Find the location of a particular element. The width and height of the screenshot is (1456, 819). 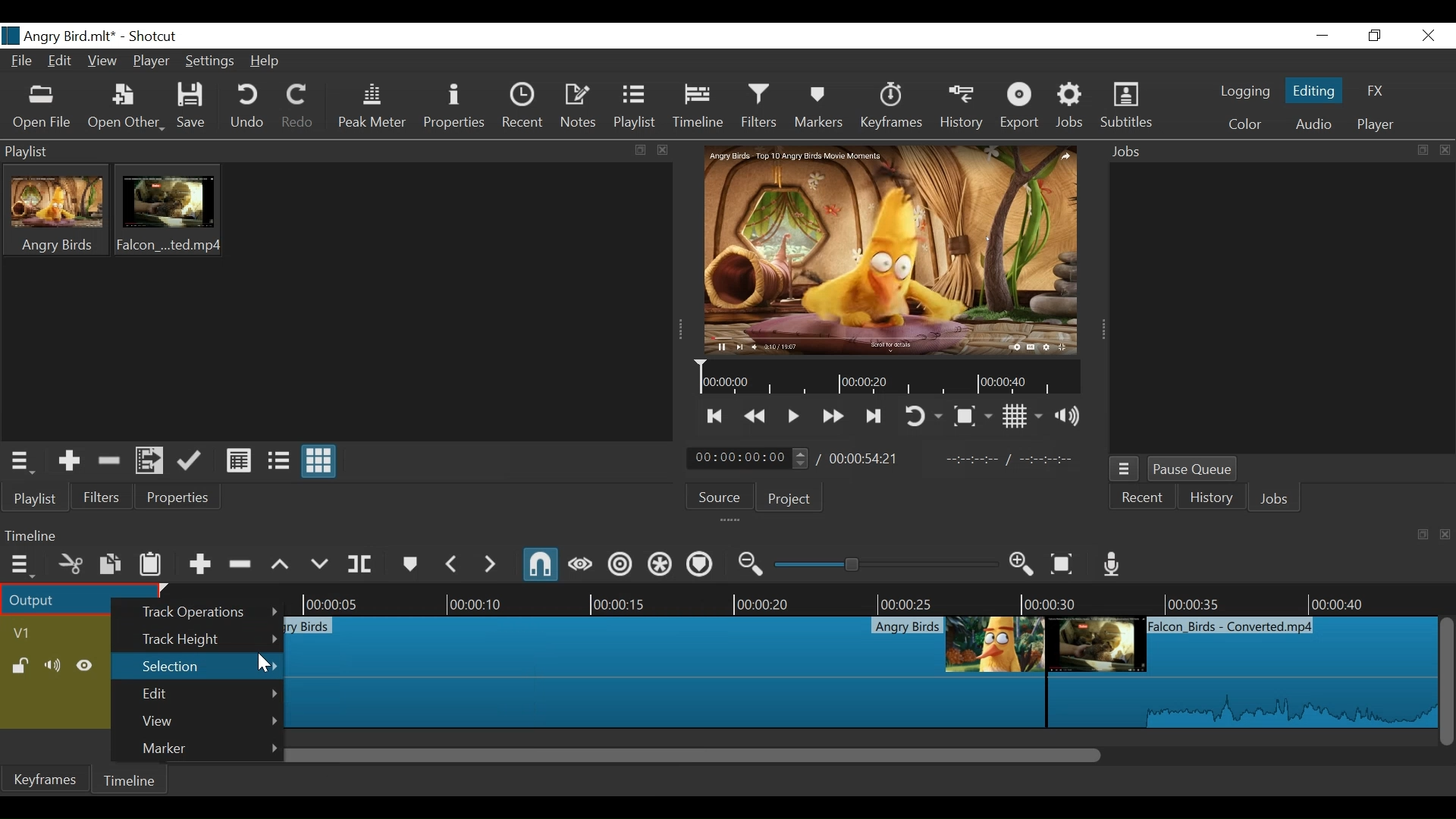

Ripple all tracks is located at coordinates (657, 565).